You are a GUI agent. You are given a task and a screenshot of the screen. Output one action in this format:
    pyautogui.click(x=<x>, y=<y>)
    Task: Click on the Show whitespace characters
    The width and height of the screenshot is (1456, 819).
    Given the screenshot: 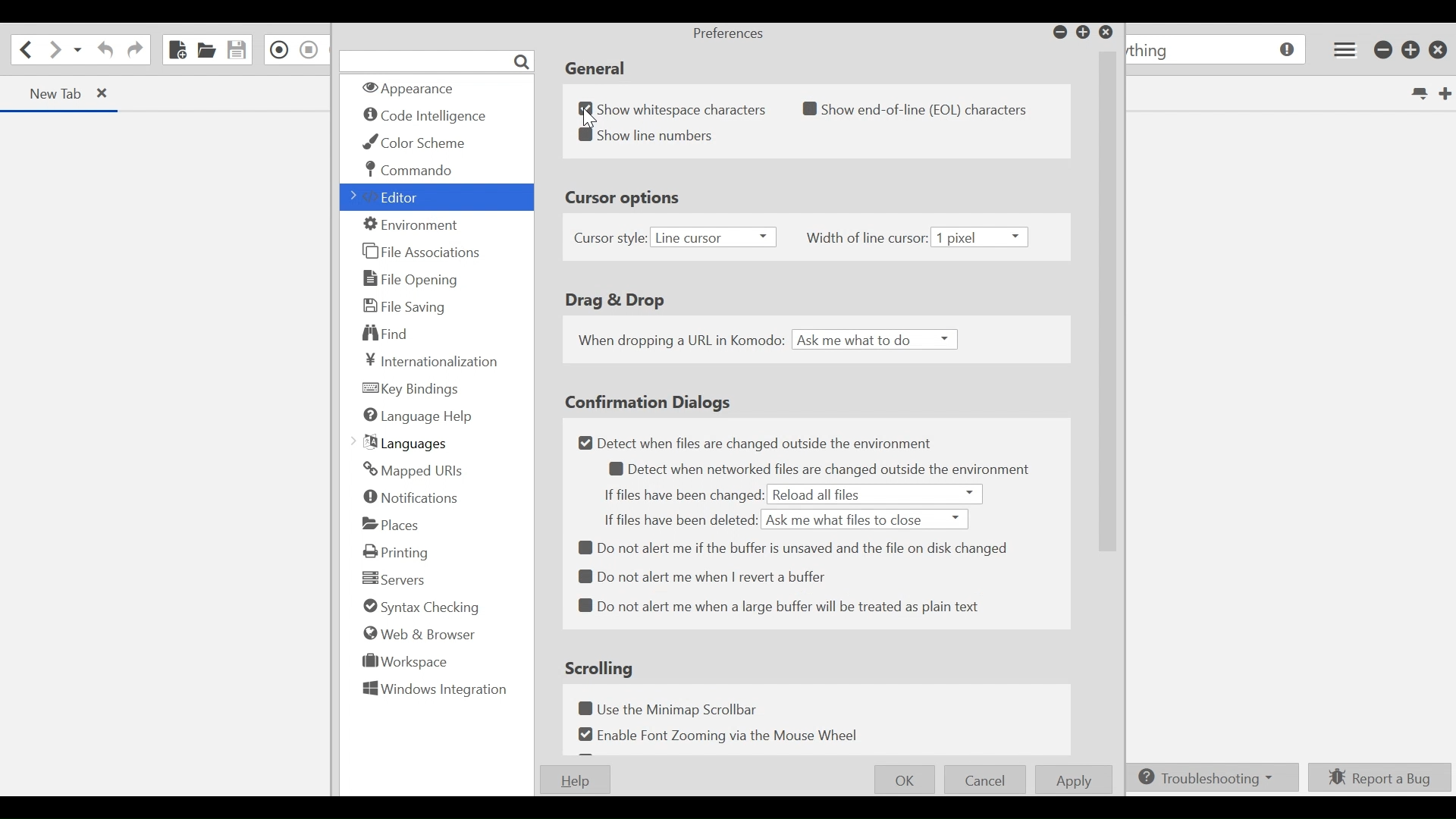 What is the action you would take?
    pyautogui.click(x=671, y=110)
    